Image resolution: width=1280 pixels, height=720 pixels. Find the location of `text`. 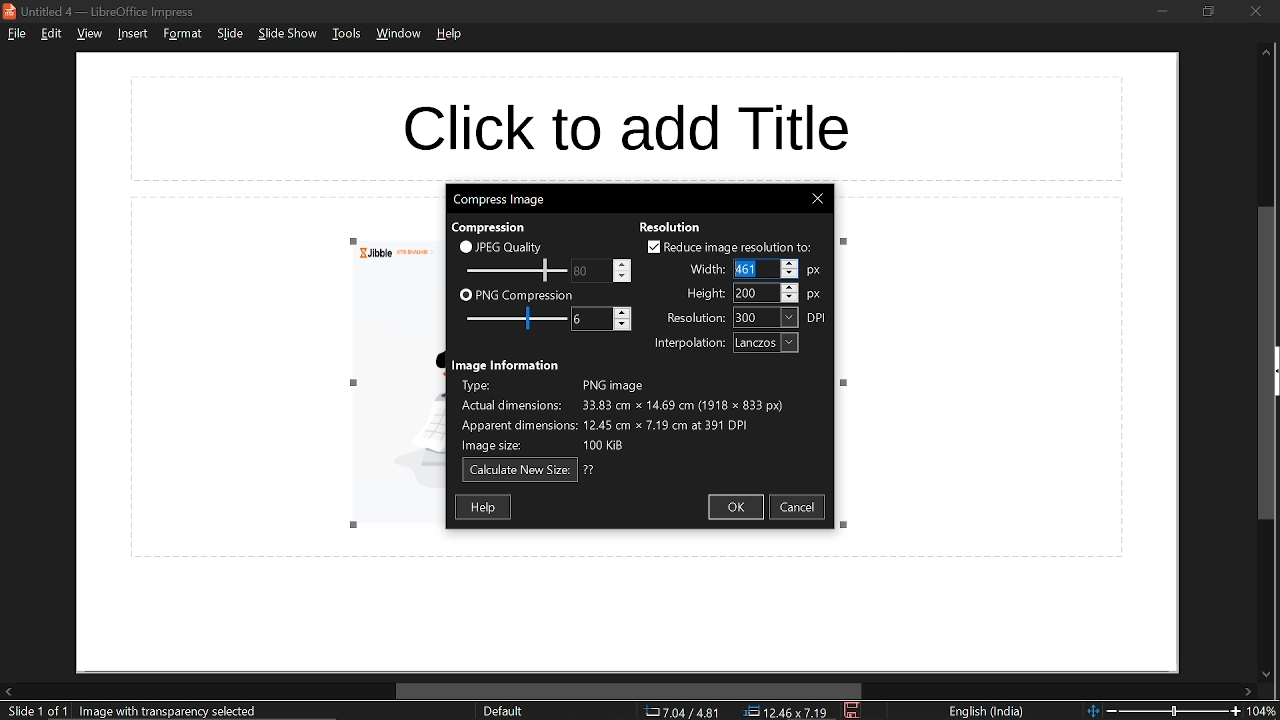

text is located at coordinates (671, 225).